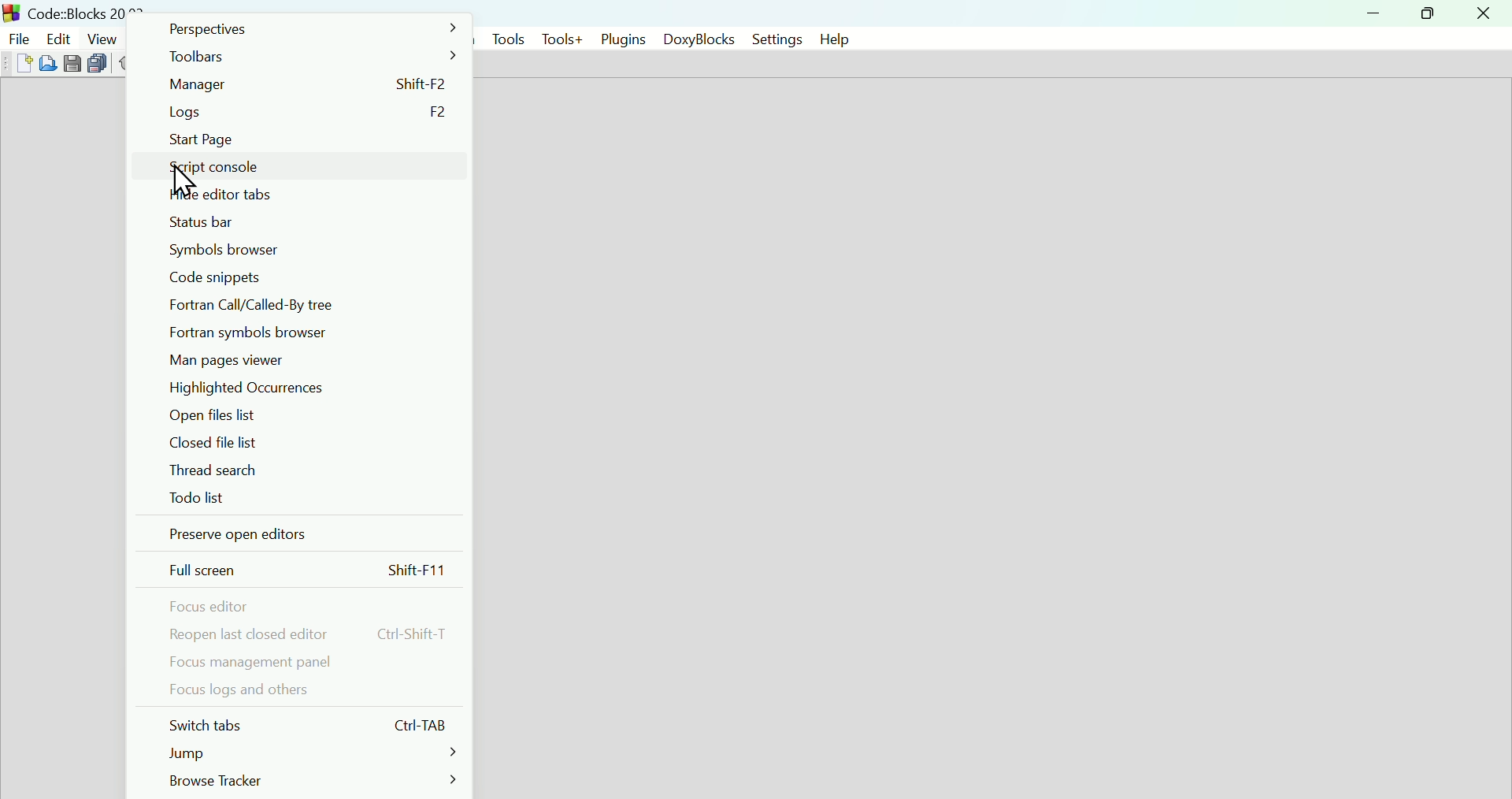 The width and height of the screenshot is (1512, 799). What do you see at coordinates (306, 194) in the screenshot?
I see `Hide editor tabs` at bounding box center [306, 194].